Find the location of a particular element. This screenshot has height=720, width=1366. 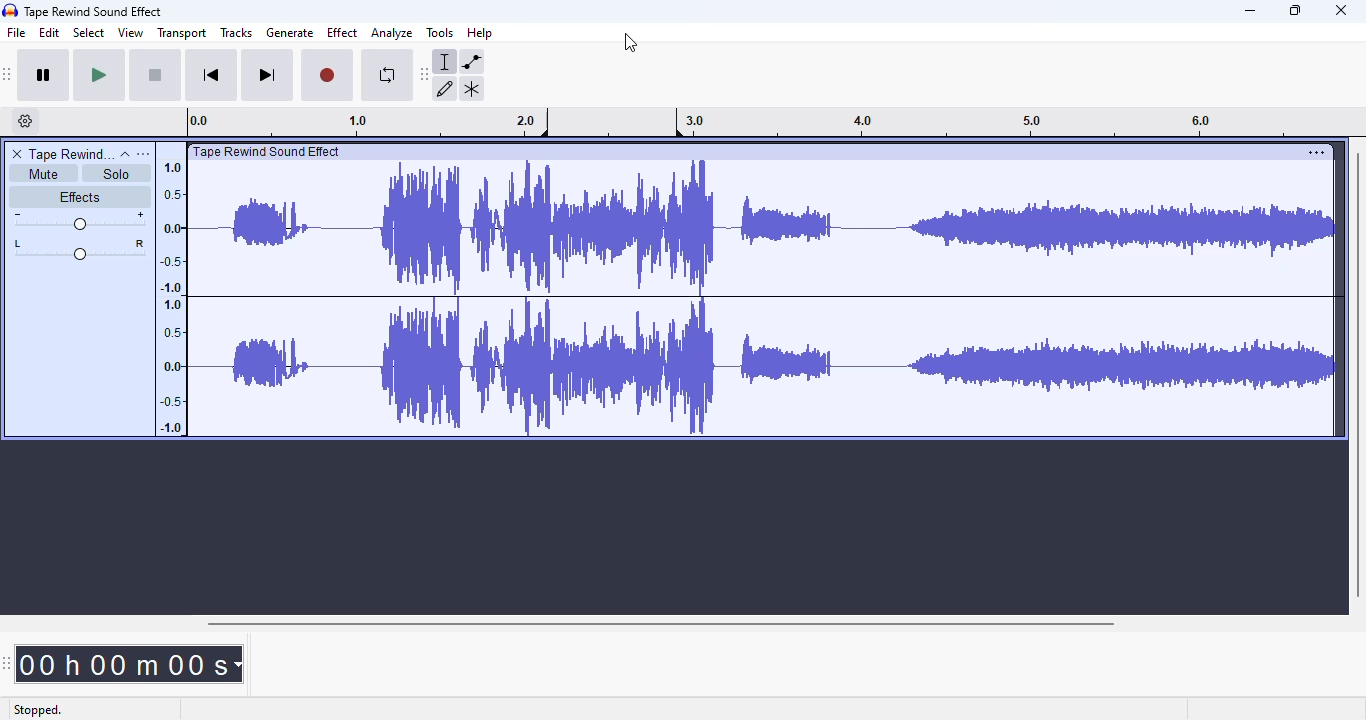

skip to end is located at coordinates (268, 75).